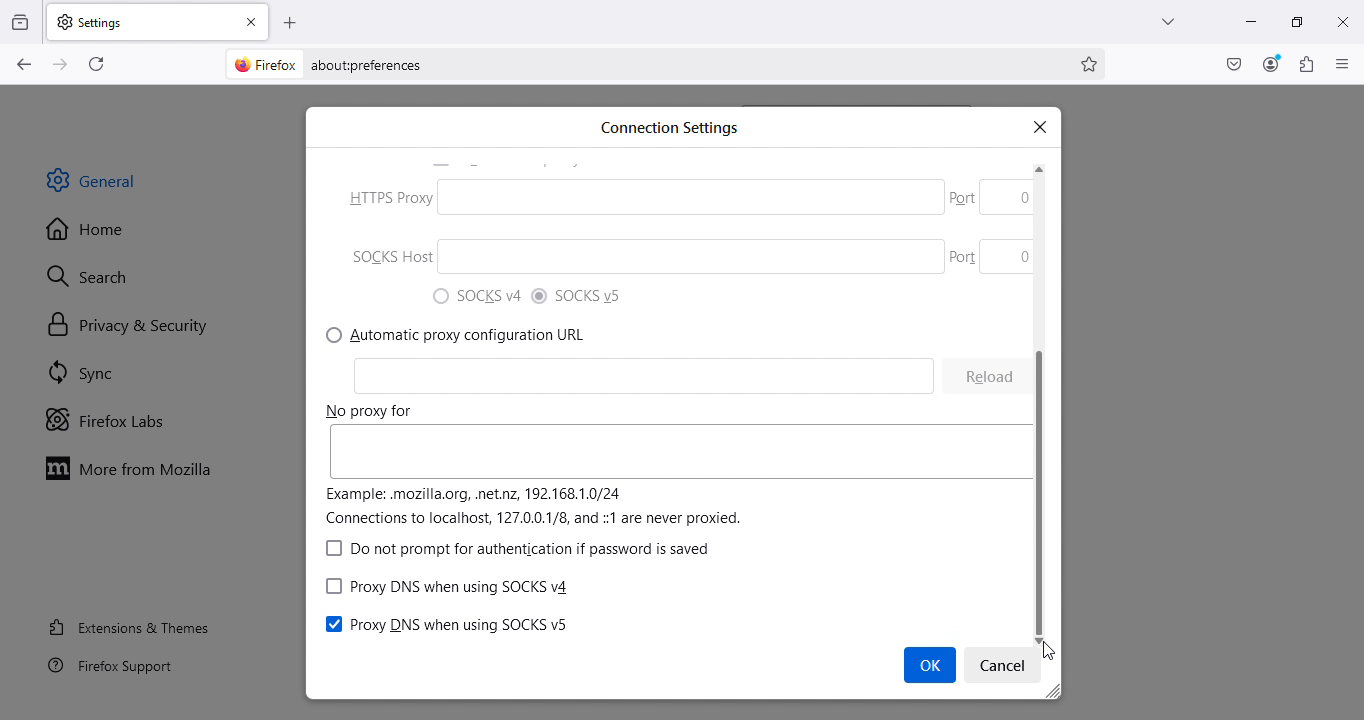  I want to click on Account, so click(1271, 64).